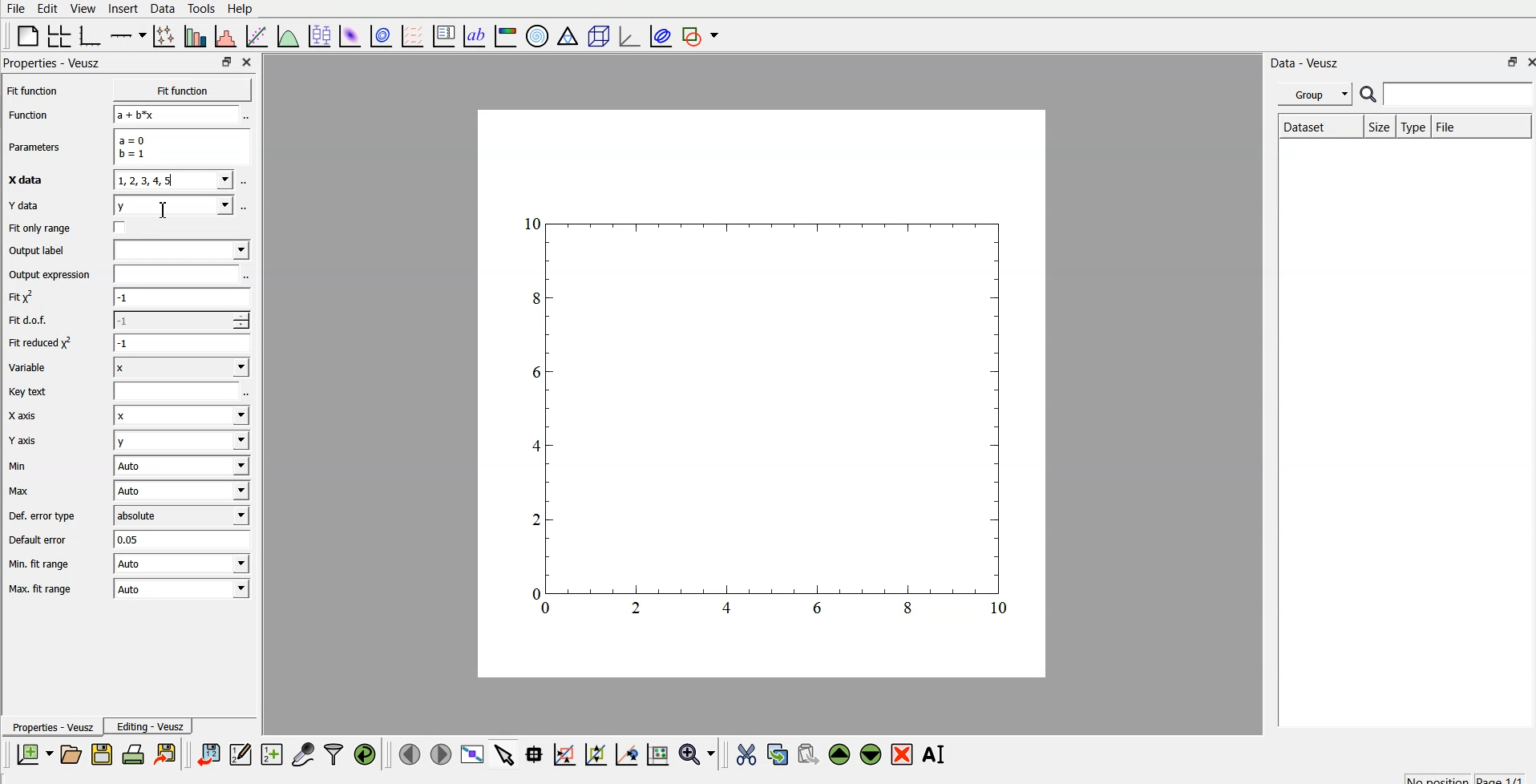 The image size is (1536, 784). I want to click on plot bar charts, so click(195, 36).